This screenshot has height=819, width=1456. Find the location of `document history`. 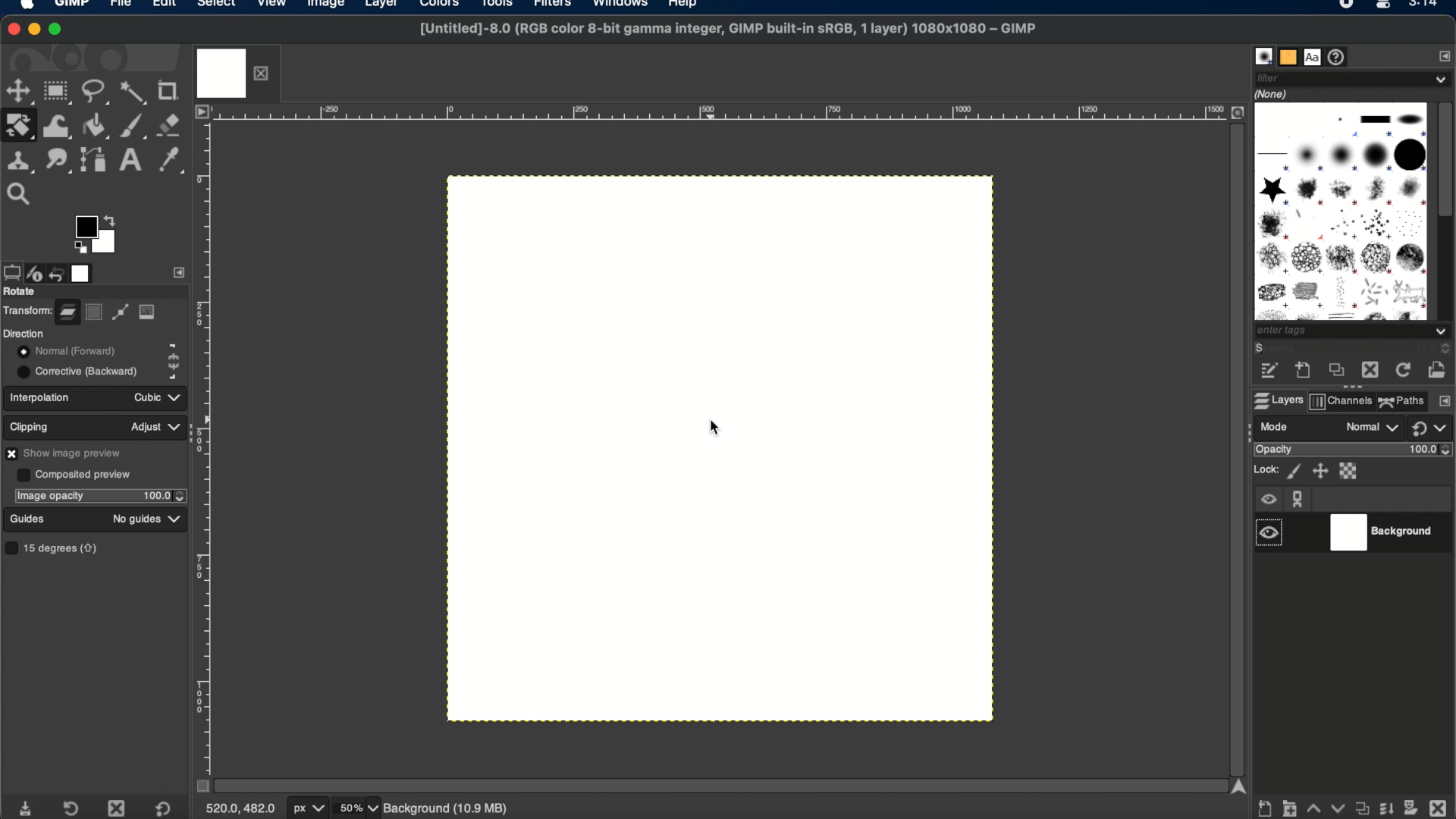

document history is located at coordinates (1340, 57).